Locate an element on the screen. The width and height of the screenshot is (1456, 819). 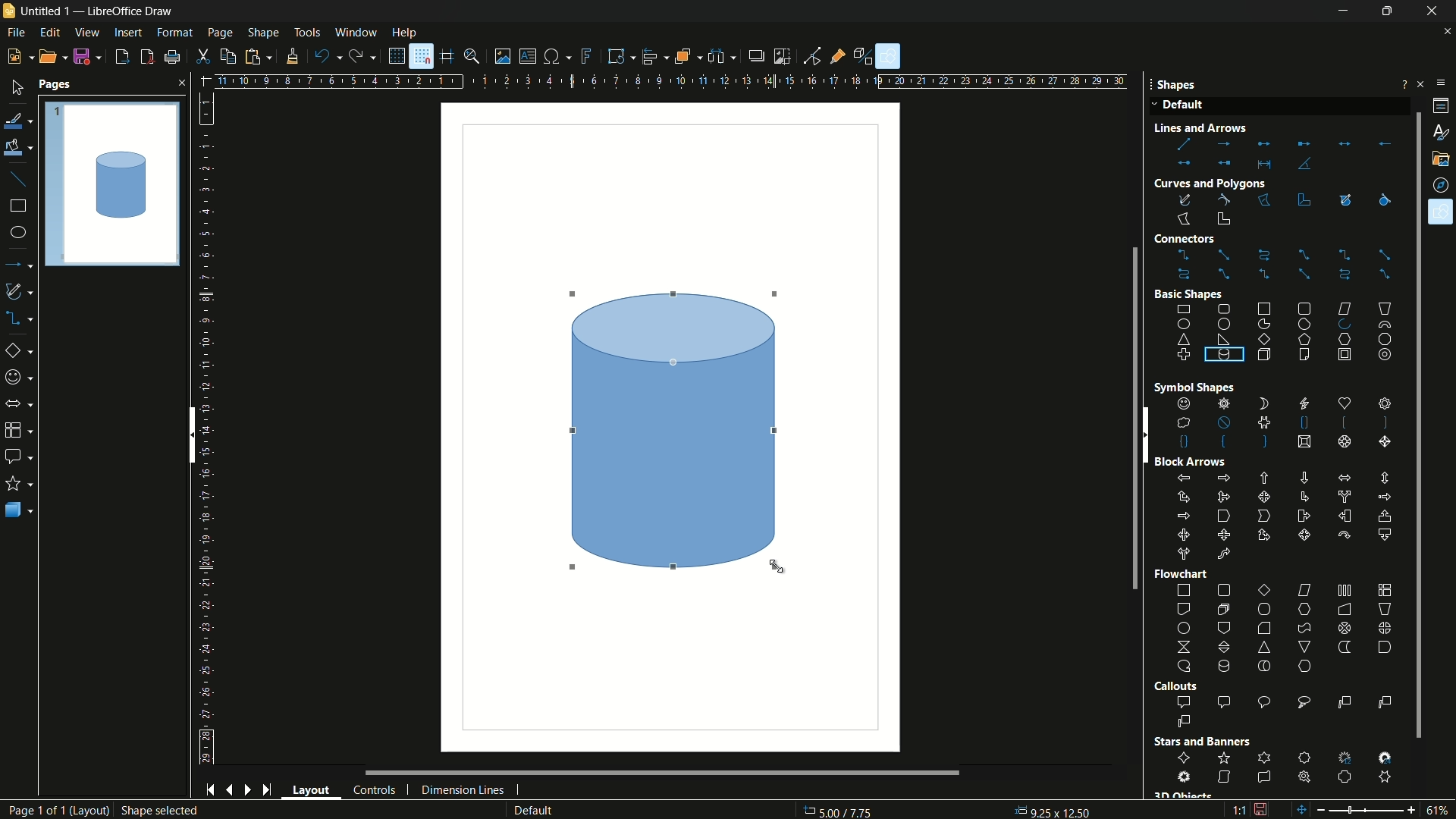
help menu is located at coordinates (403, 33).